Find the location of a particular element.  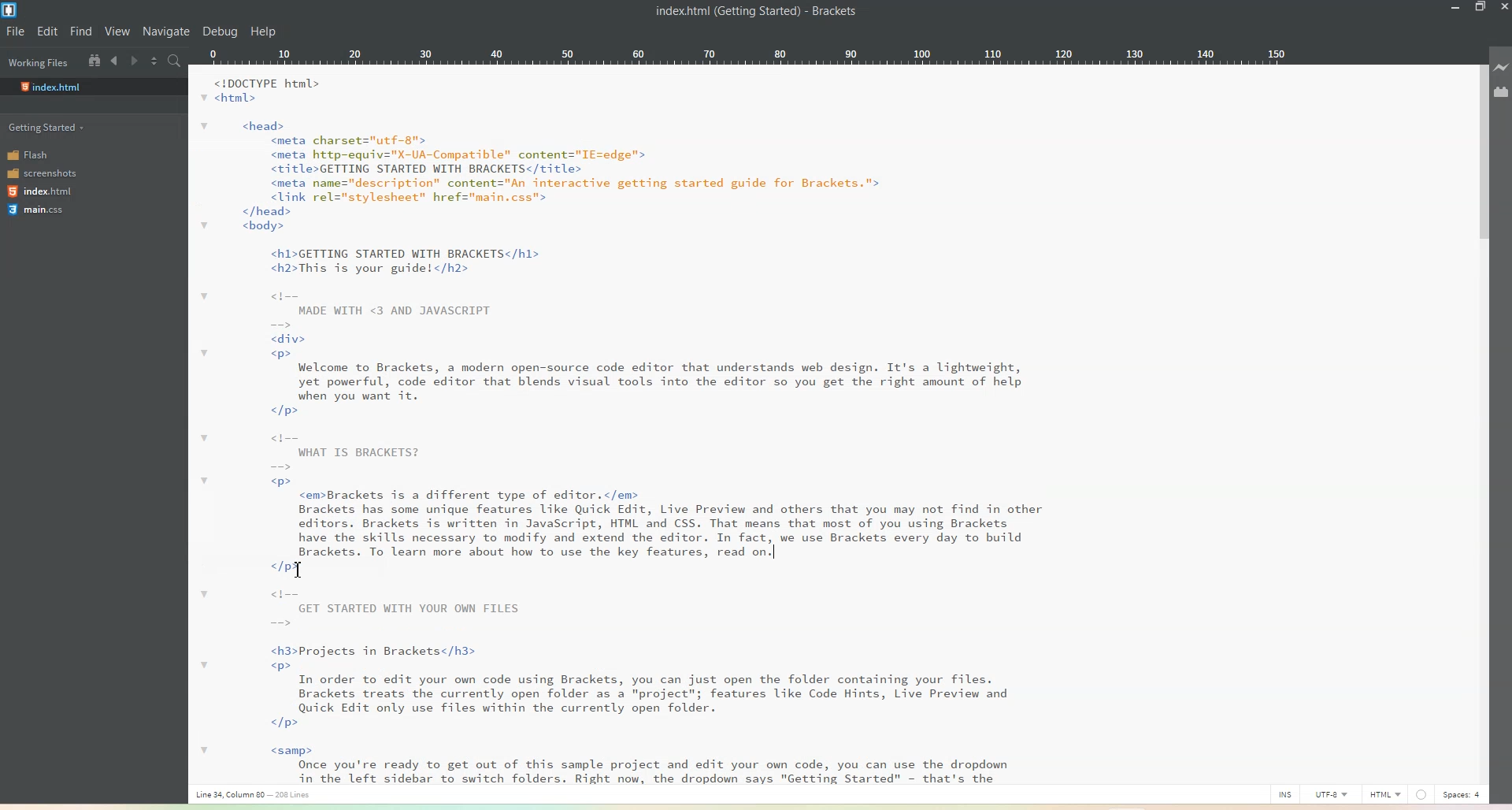

Navigate is located at coordinates (166, 32).